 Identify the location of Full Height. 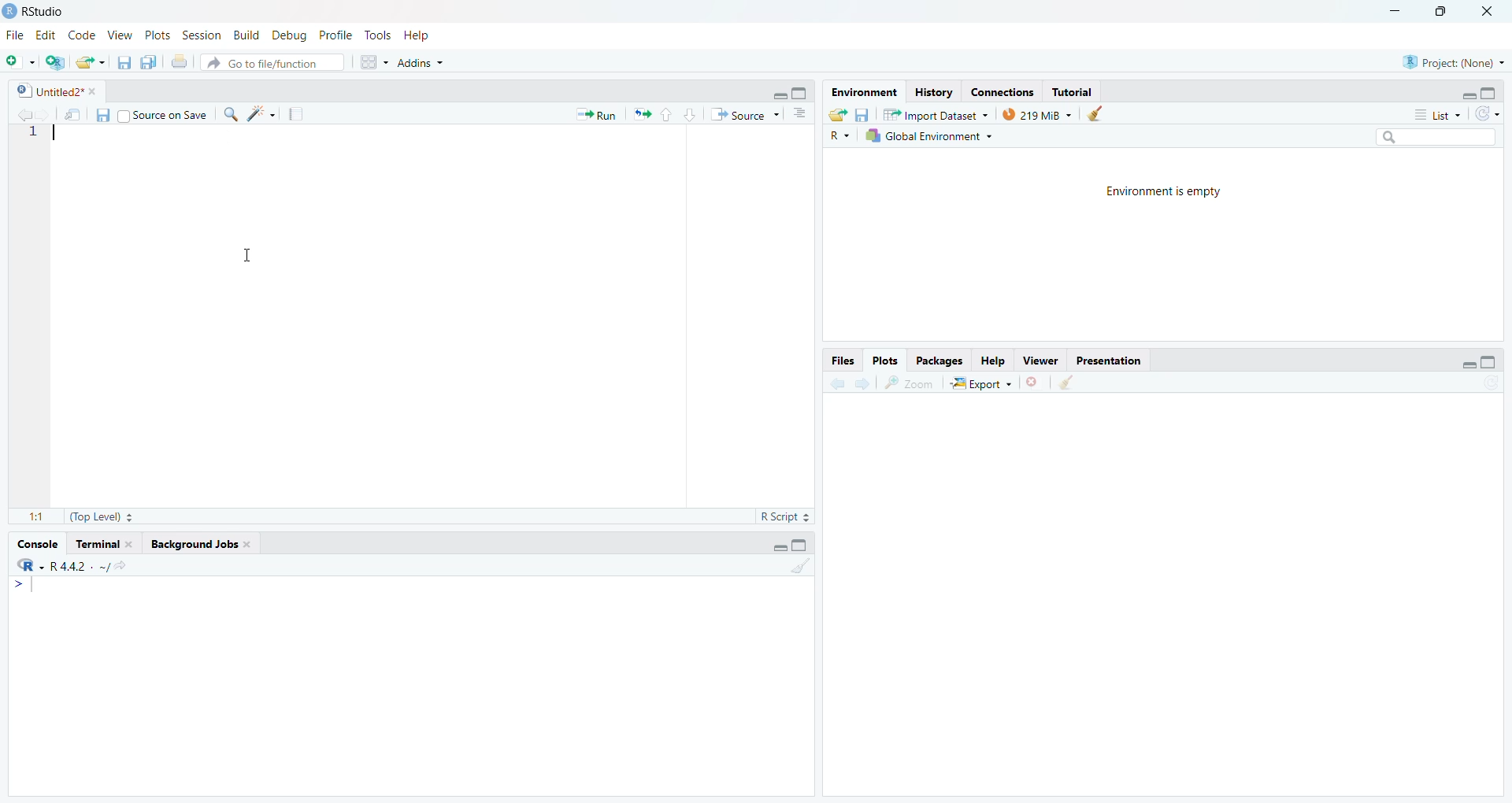
(1489, 92).